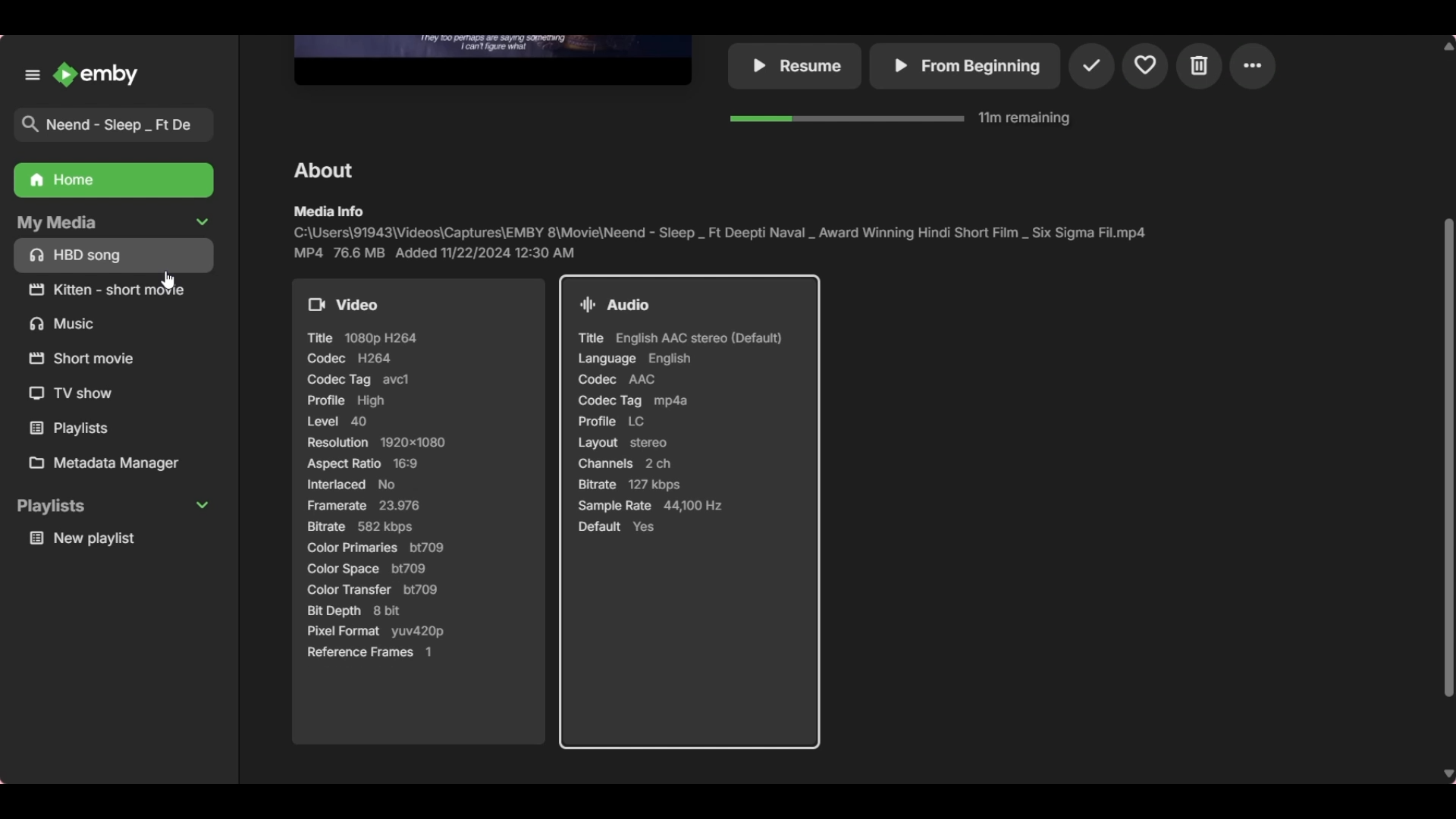 The height and width of the screenshot is (819, 1456). What do you see at coordinates (33, 74) in the screenshot?
I see `Unpin left panel` at bounding box center [33, 74].